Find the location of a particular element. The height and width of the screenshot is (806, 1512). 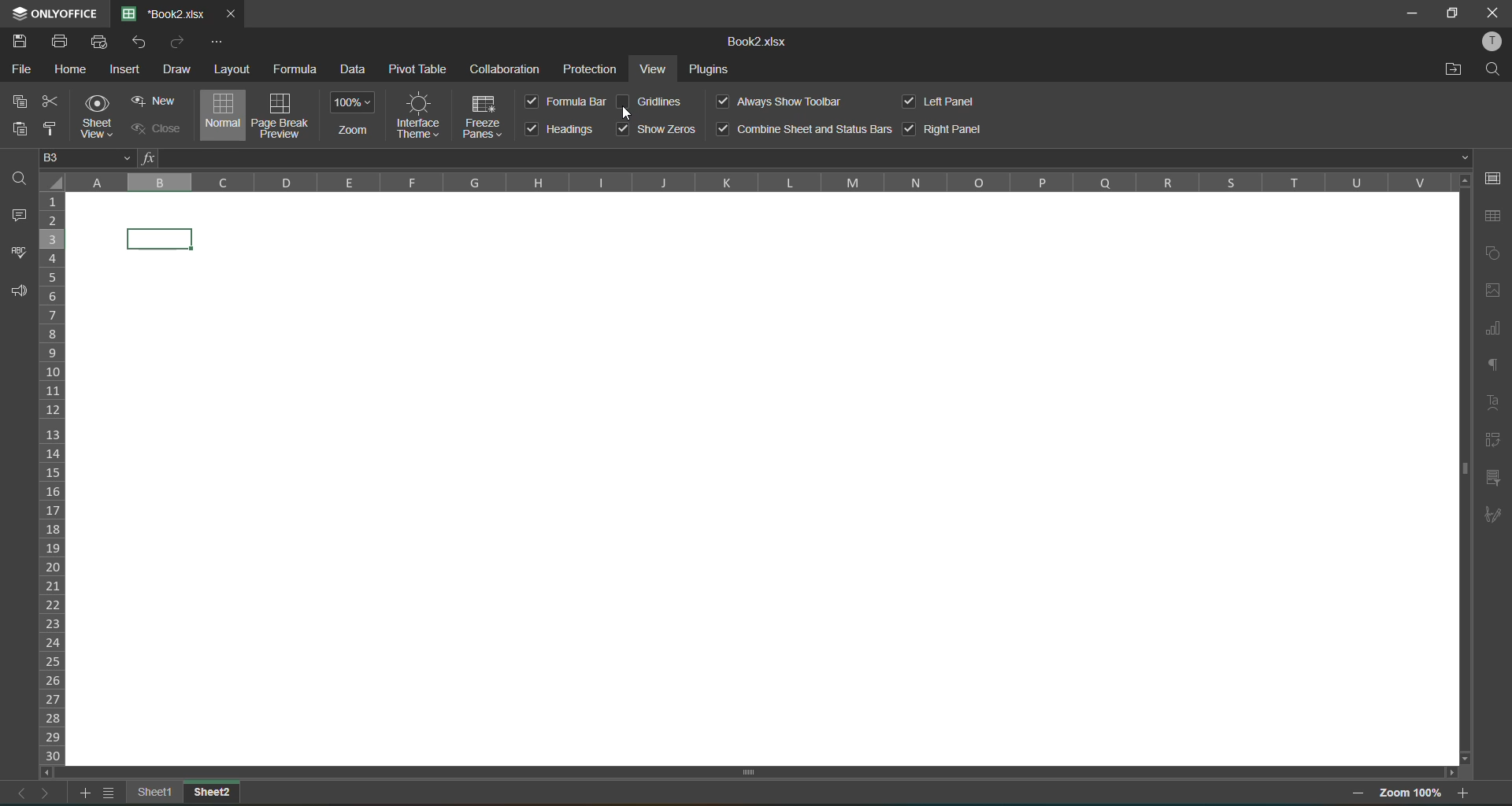

close is located at coordinates (1494, 12).